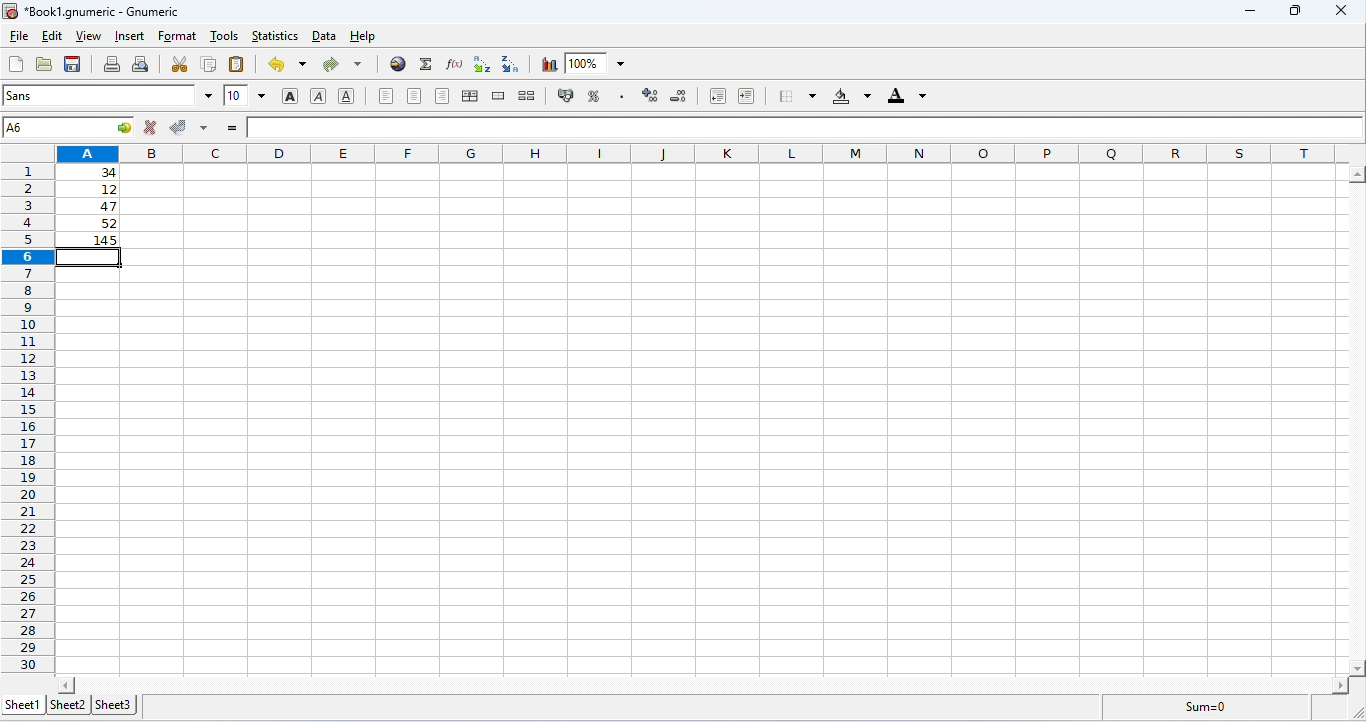 This screenshot has height=722, width=1366. I want to click on sheet2, so click(70, 705).